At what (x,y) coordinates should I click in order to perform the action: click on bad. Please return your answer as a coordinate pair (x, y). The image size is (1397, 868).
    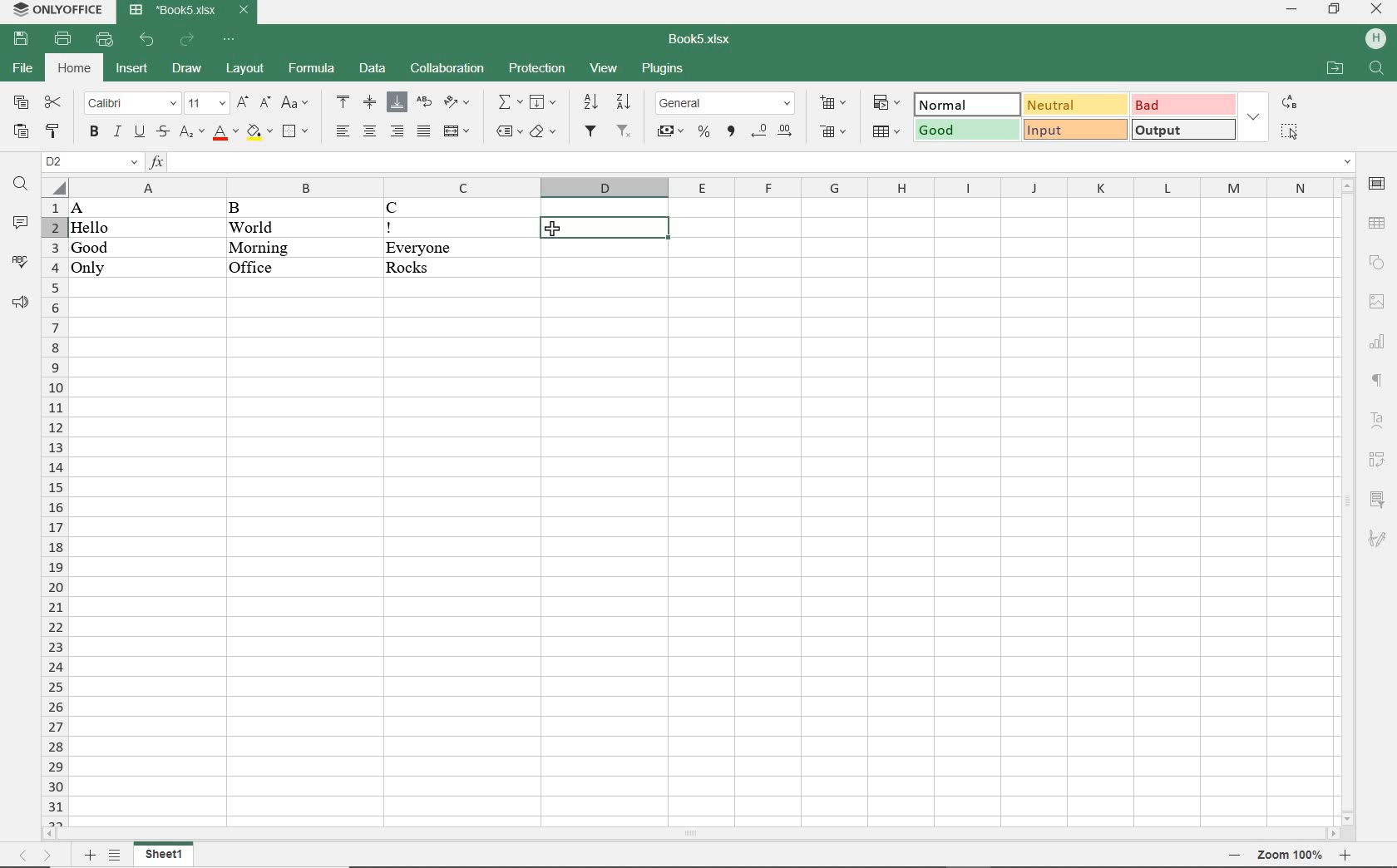
    Looking at the image, I should click on (1182, 105).